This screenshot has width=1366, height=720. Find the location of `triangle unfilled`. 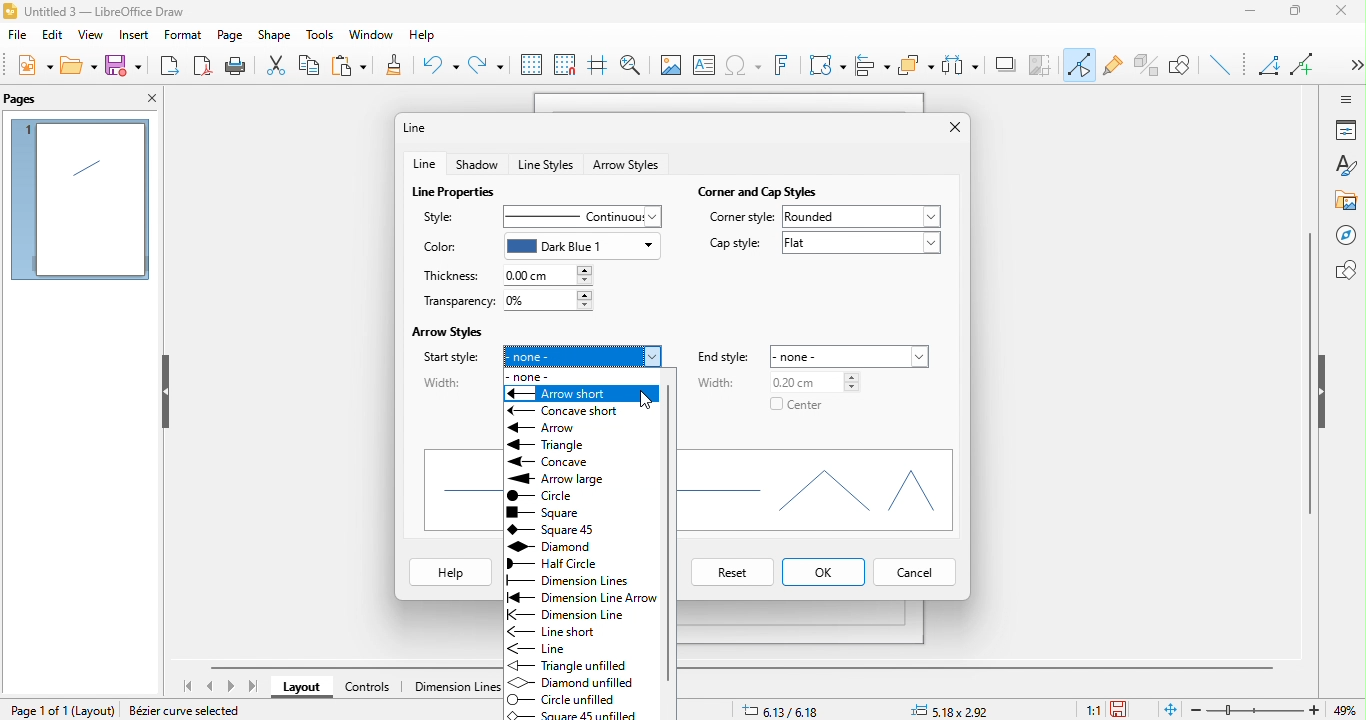

triangle unfilled is located at coordinates (572, 664).